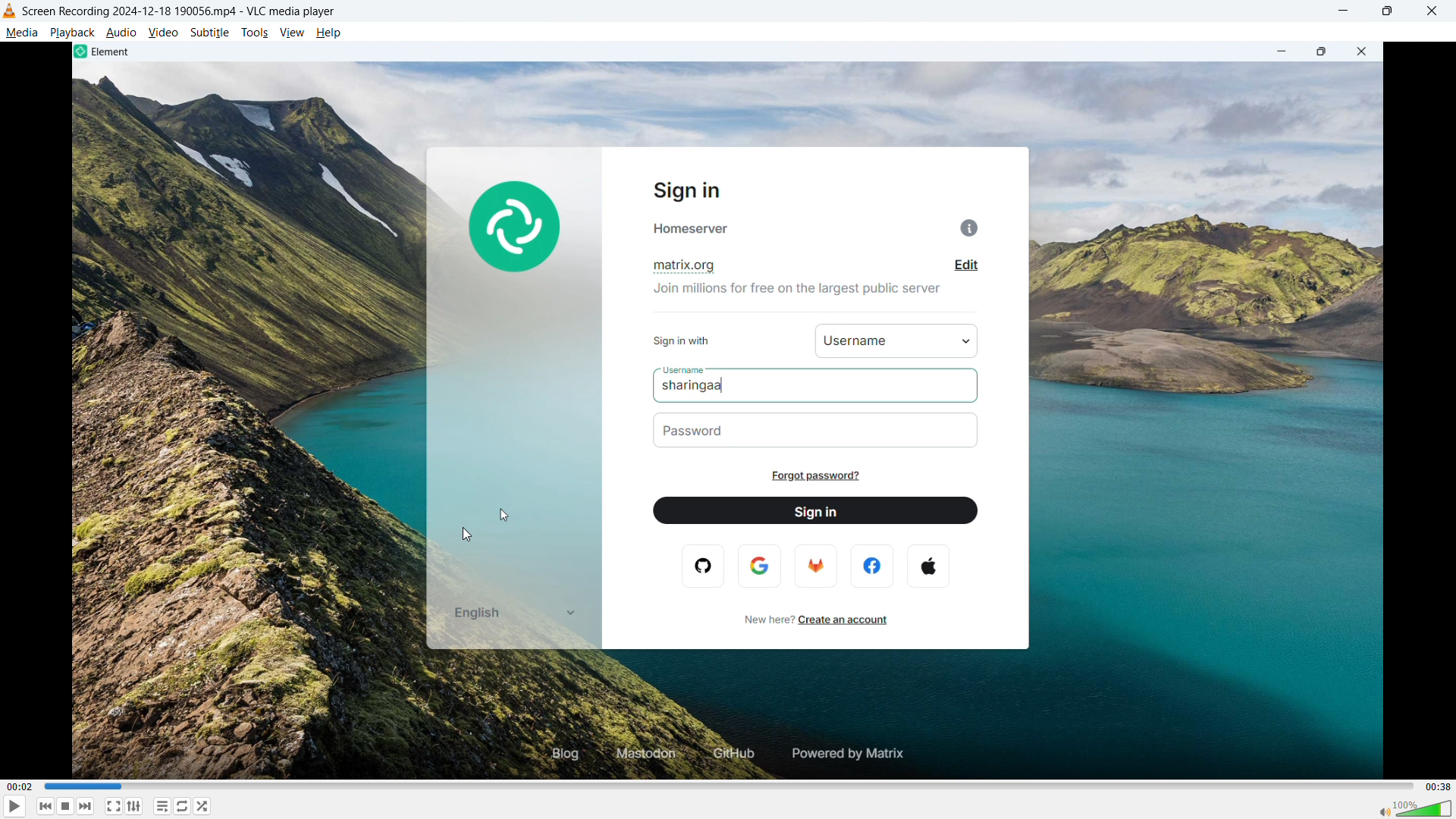 Image resolution: width=1456 pixels, height=819 pixels. Describe the element at coordinates (86, 807) in the screenshot. I see `Forward or next media ` at that location.